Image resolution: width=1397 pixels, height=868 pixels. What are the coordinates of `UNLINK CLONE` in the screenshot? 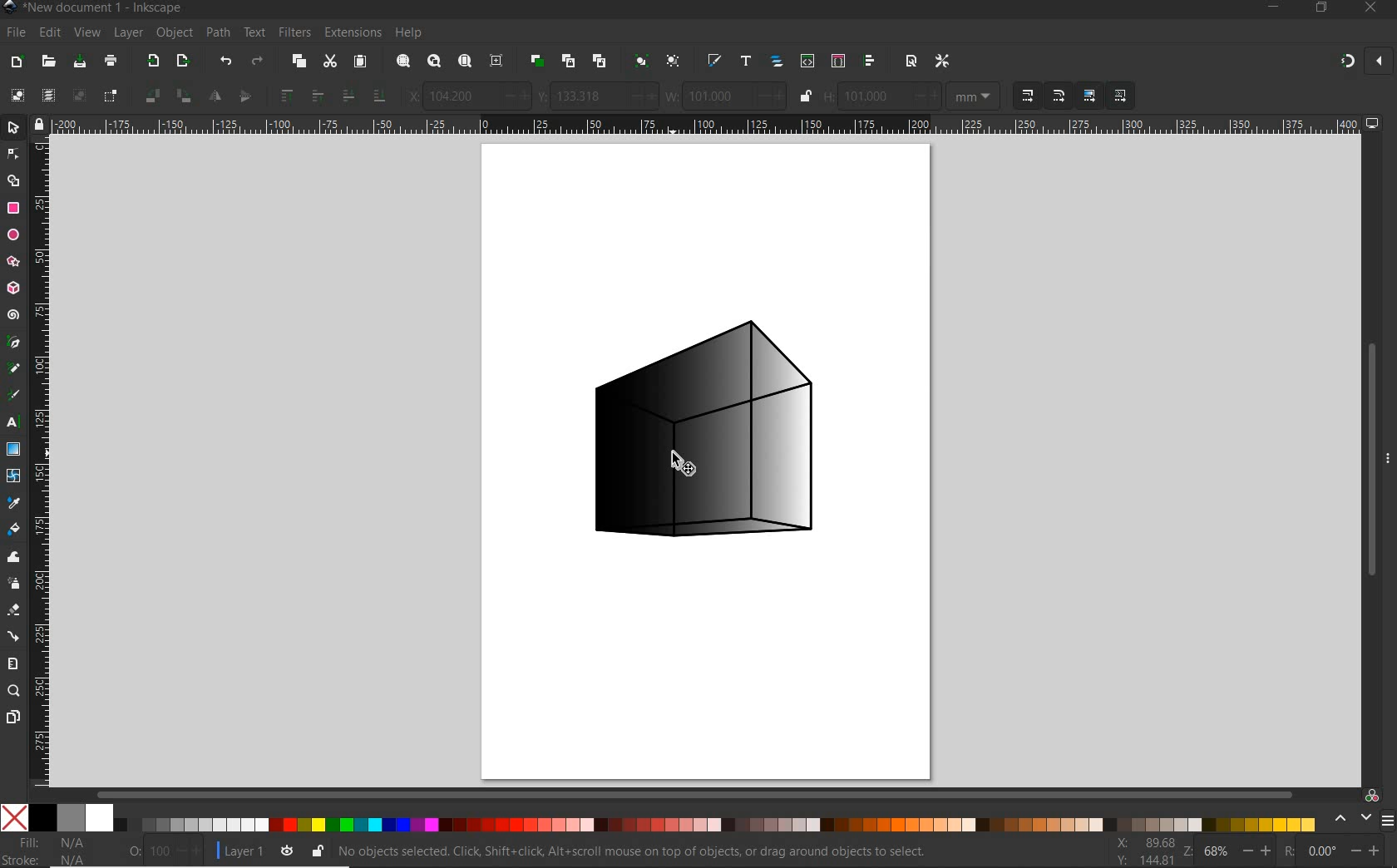 It's located at (601, 60).